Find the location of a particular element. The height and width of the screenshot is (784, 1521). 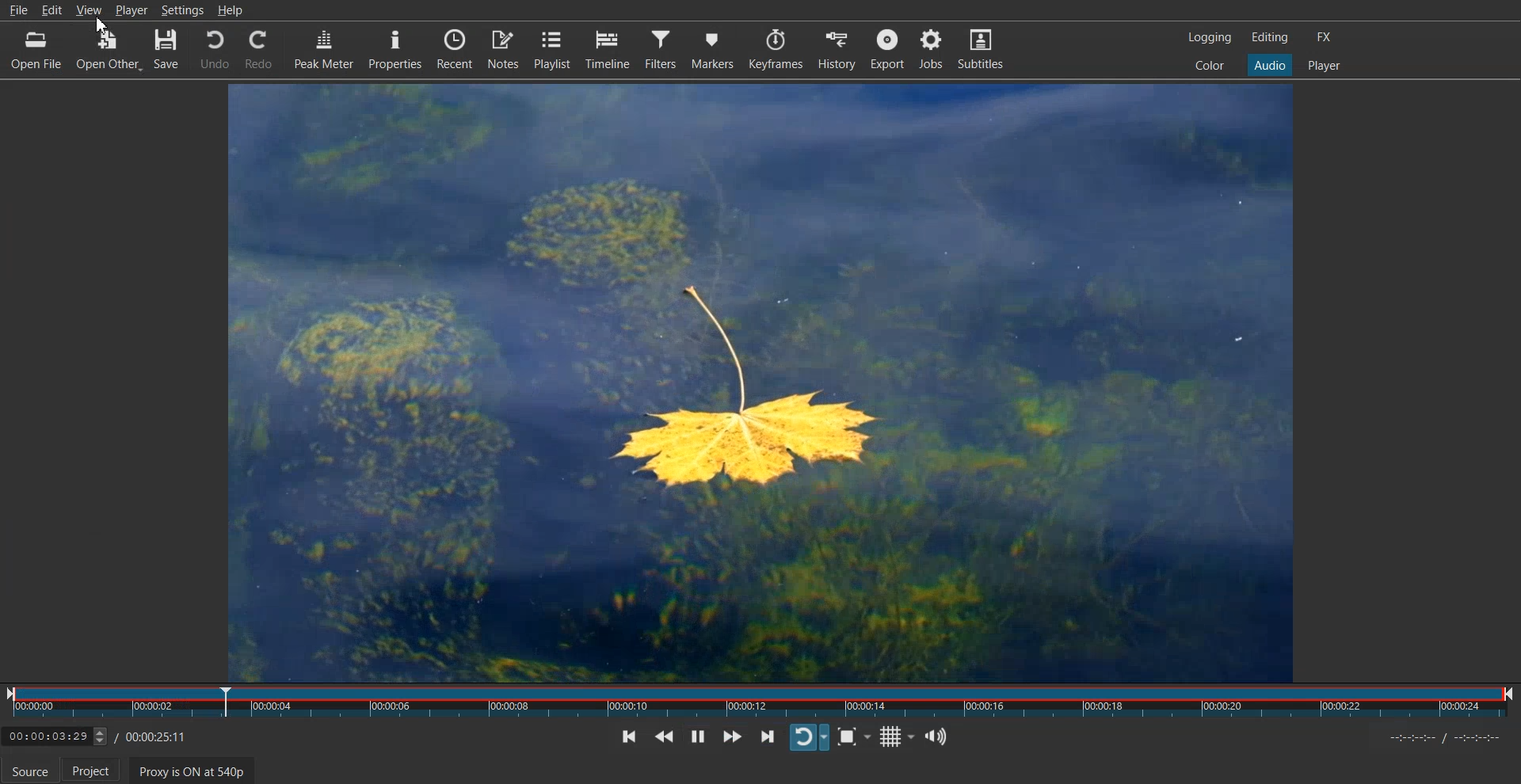

Logging is located at coordinates (1210, 37).